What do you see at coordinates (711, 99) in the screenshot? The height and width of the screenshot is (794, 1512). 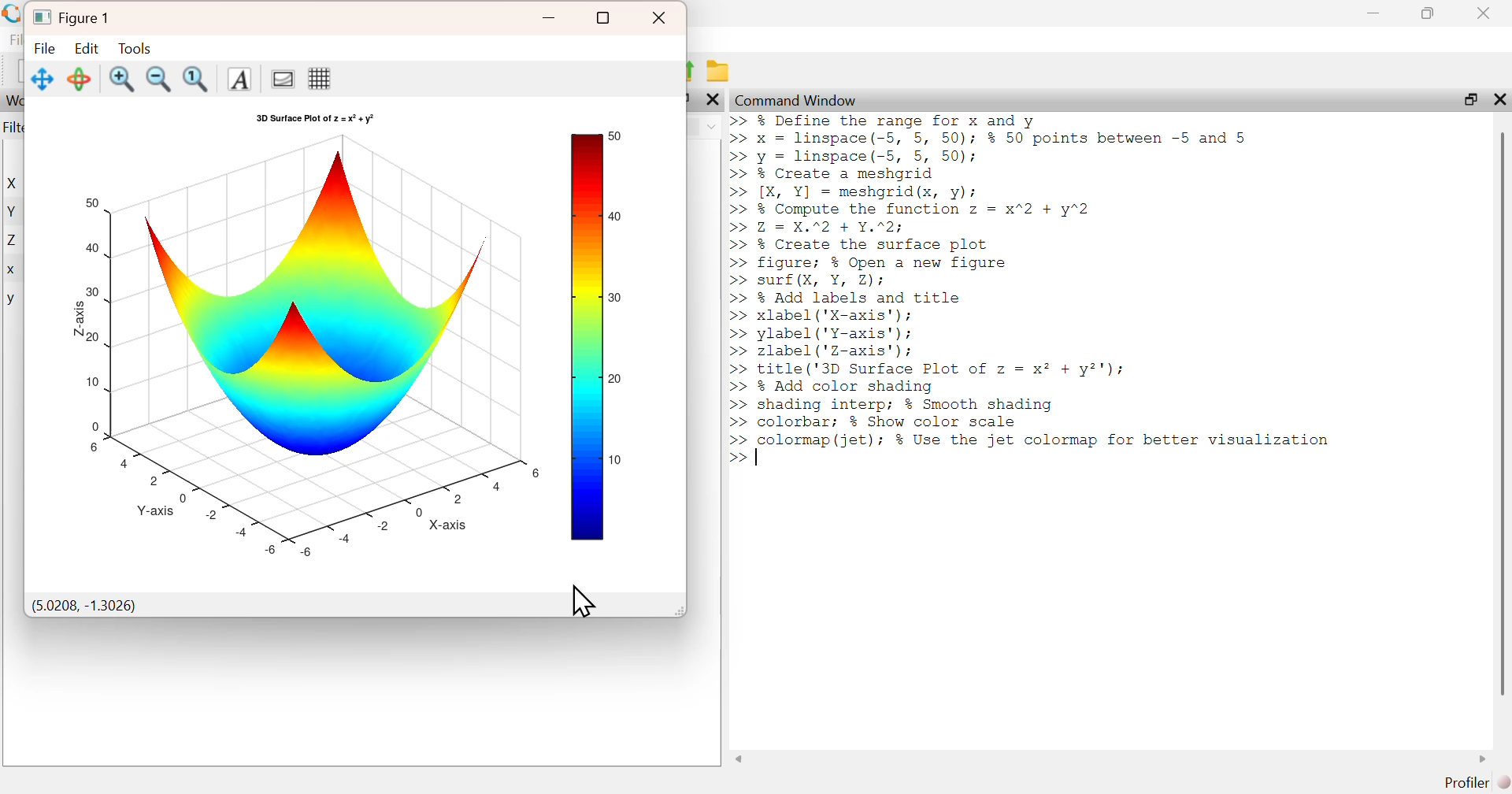 I see `close` at bounding box center [711, 99].